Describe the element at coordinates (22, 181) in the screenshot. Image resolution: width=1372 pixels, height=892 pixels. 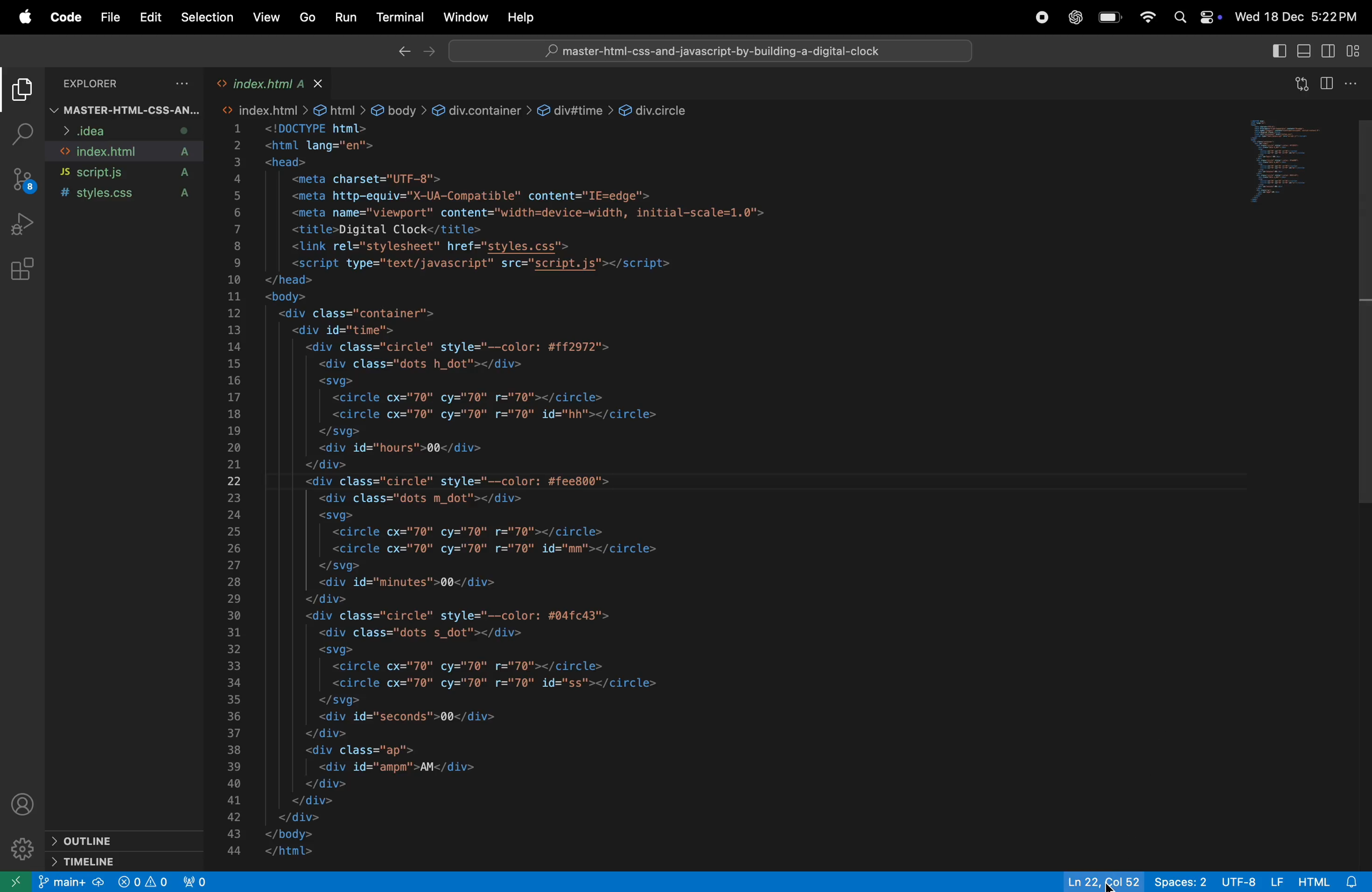
I see `source control` at that location.